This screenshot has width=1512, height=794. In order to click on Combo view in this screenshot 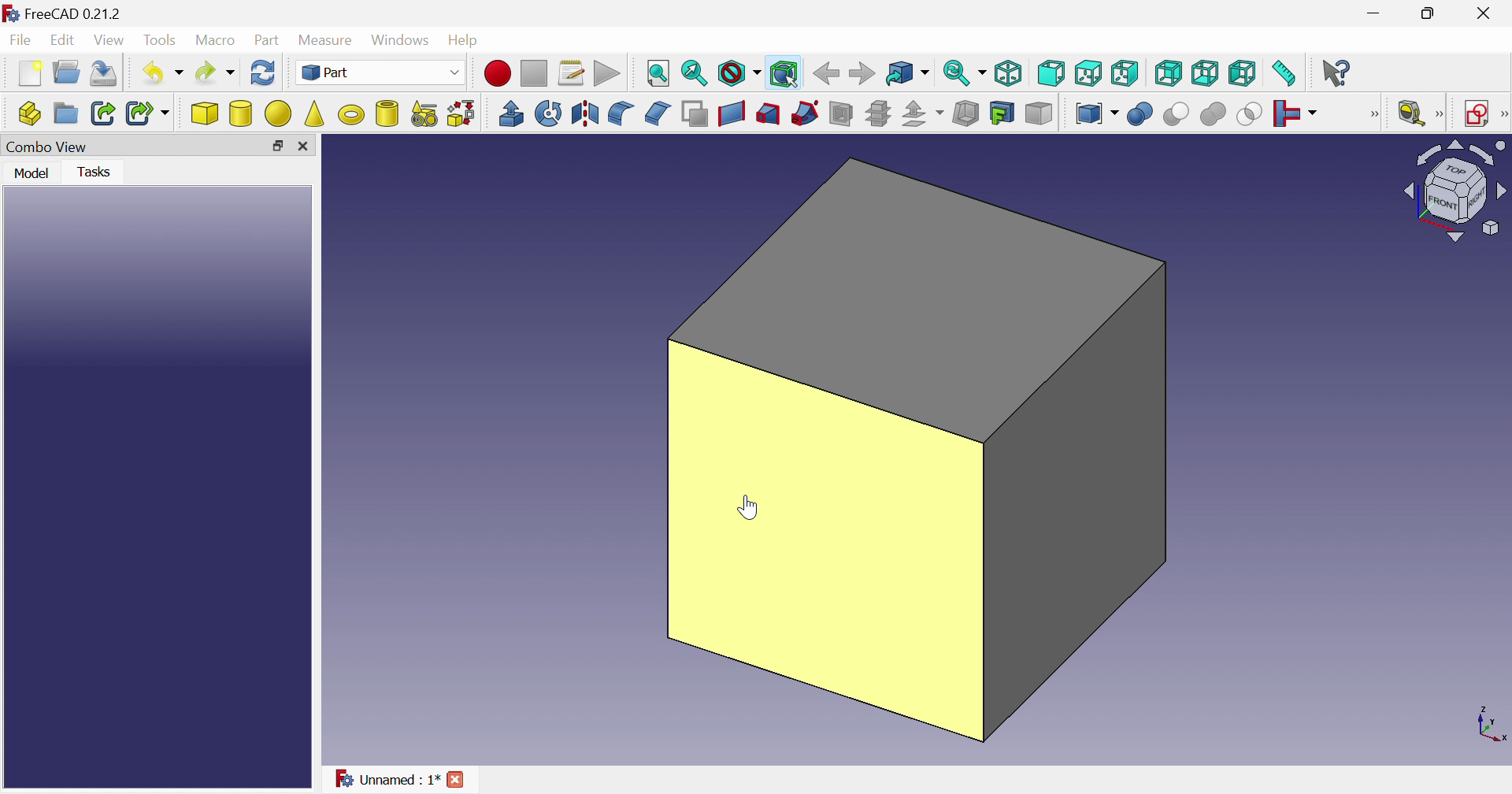, I will do `click(49, 147)`.